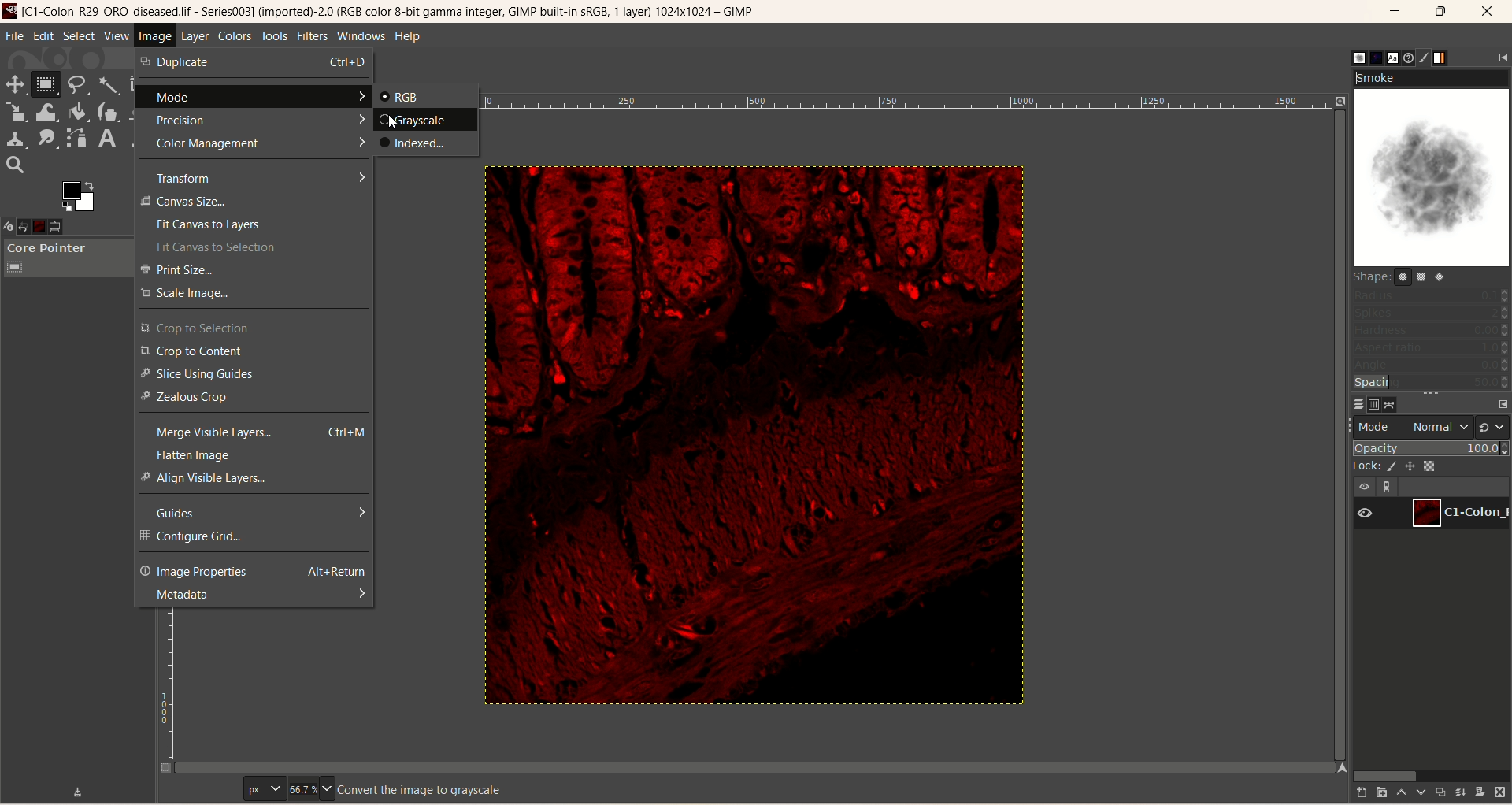  What do you see at coordinates (1366, 514) in the screenshot?
I see `visibility` at bounding box center [1366, 514].